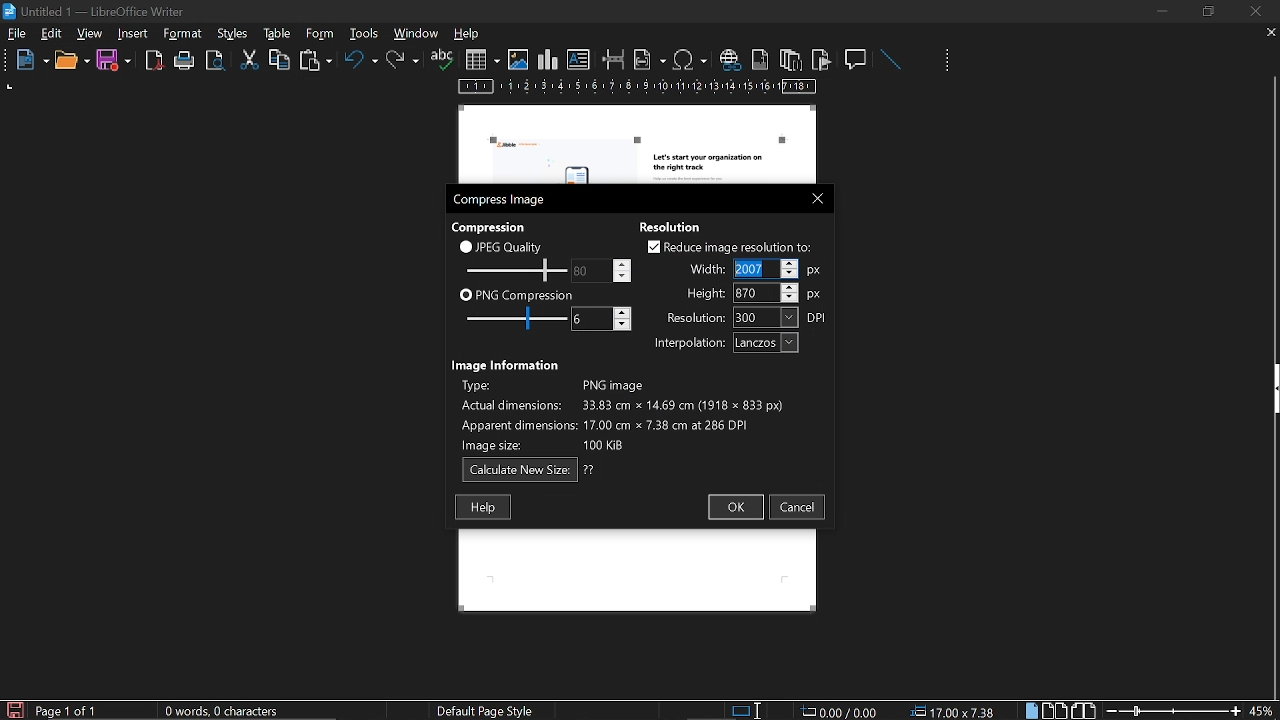 The height and width of the screenshot is (720, 1280). I want to click on help, so click(470, 35).